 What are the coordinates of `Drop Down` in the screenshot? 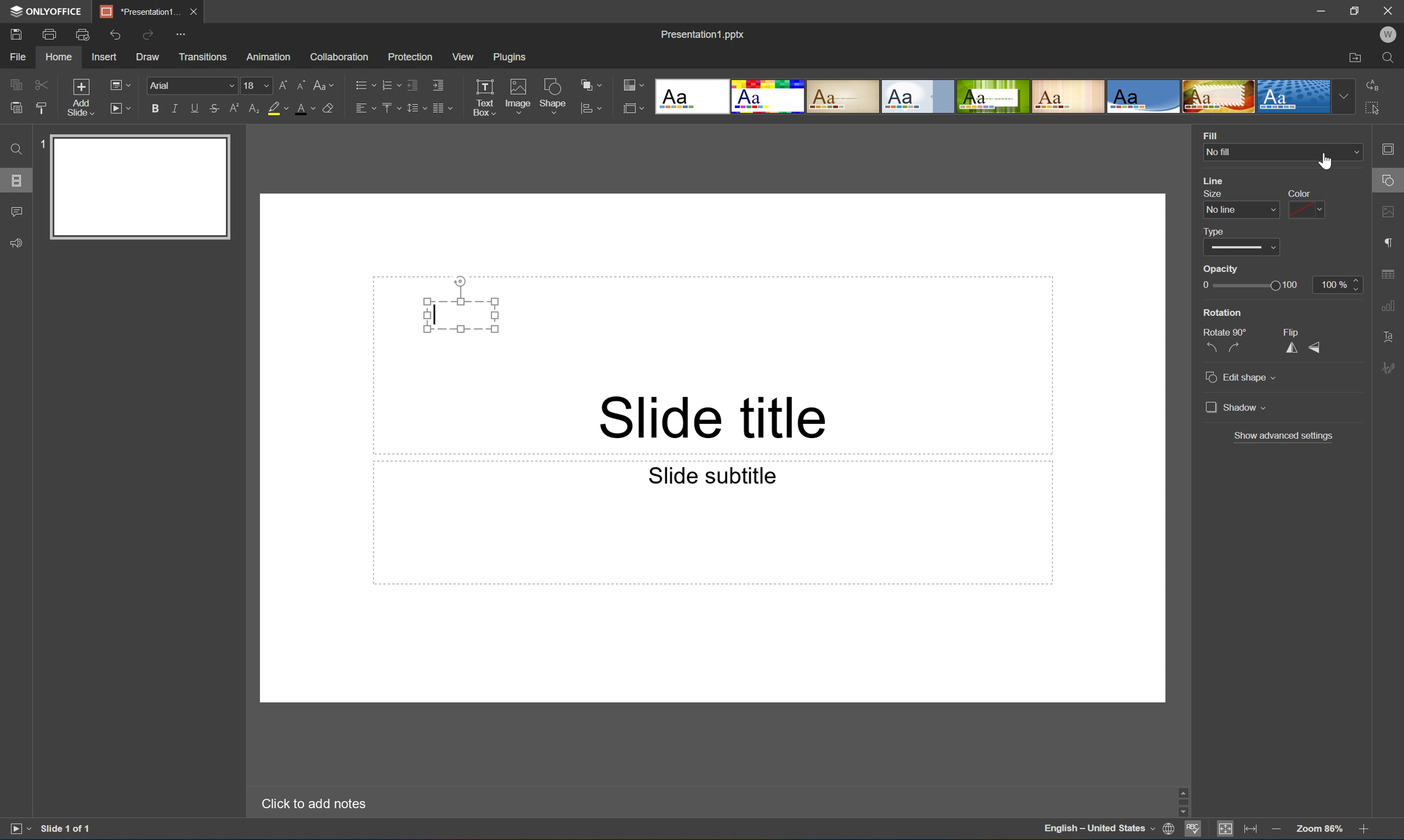 It's located at (1354, 152).